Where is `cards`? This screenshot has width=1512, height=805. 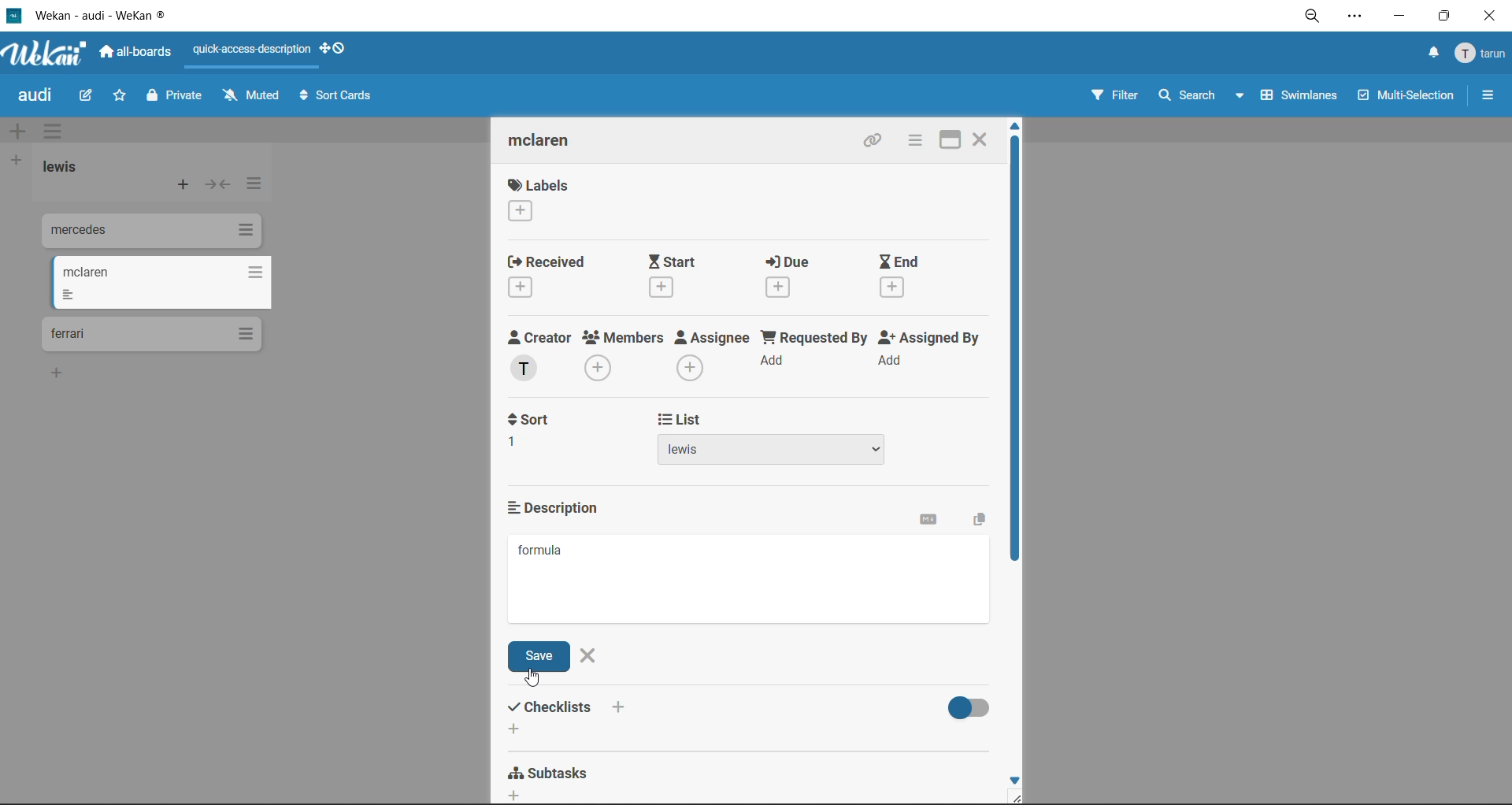 cards is located at coordinates (151, 335).